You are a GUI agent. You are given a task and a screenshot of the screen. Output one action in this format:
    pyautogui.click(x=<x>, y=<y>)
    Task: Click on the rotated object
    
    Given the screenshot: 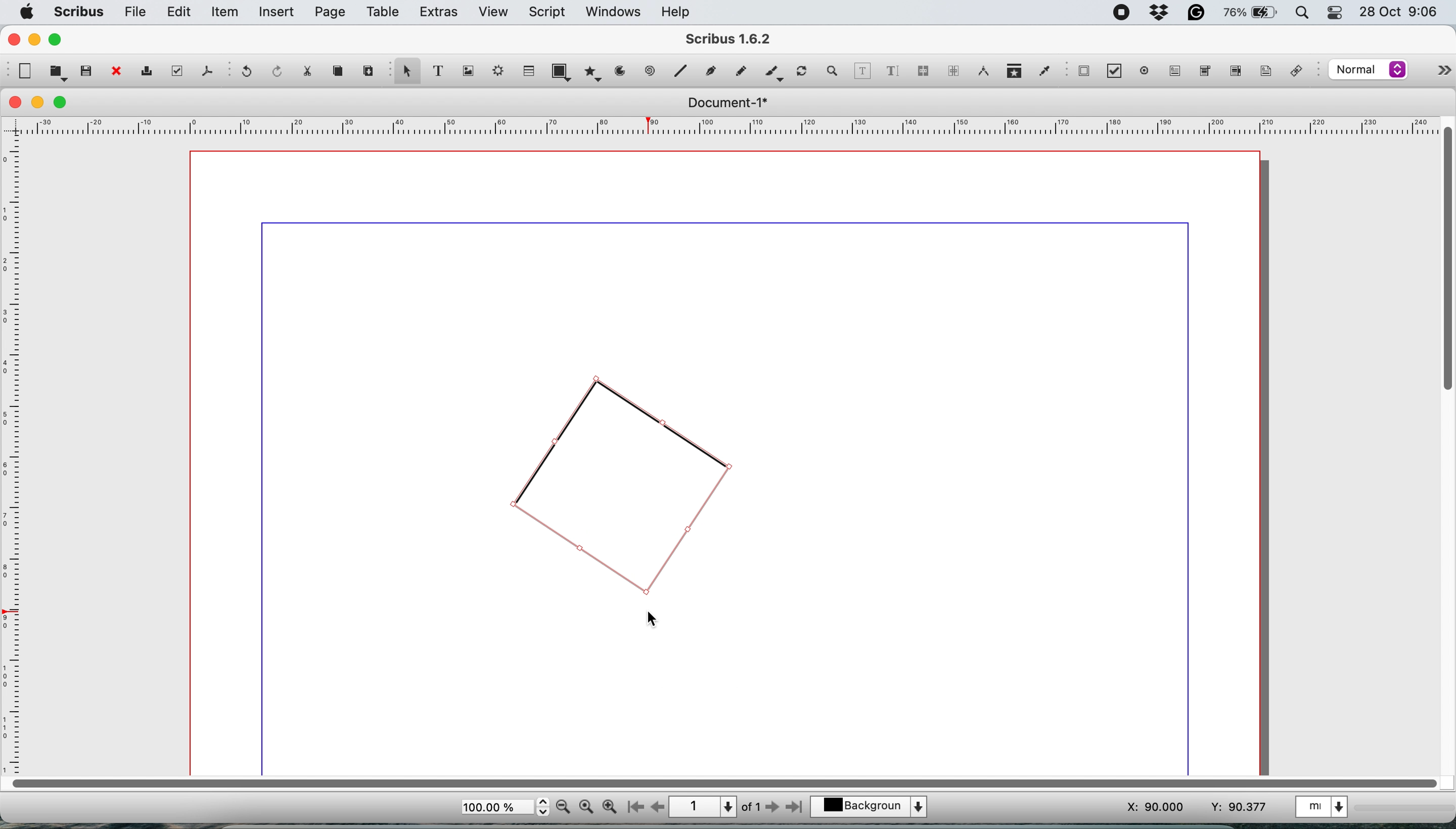 What is the action you would take?
    pyautogui.click(x=618, y=486)
    